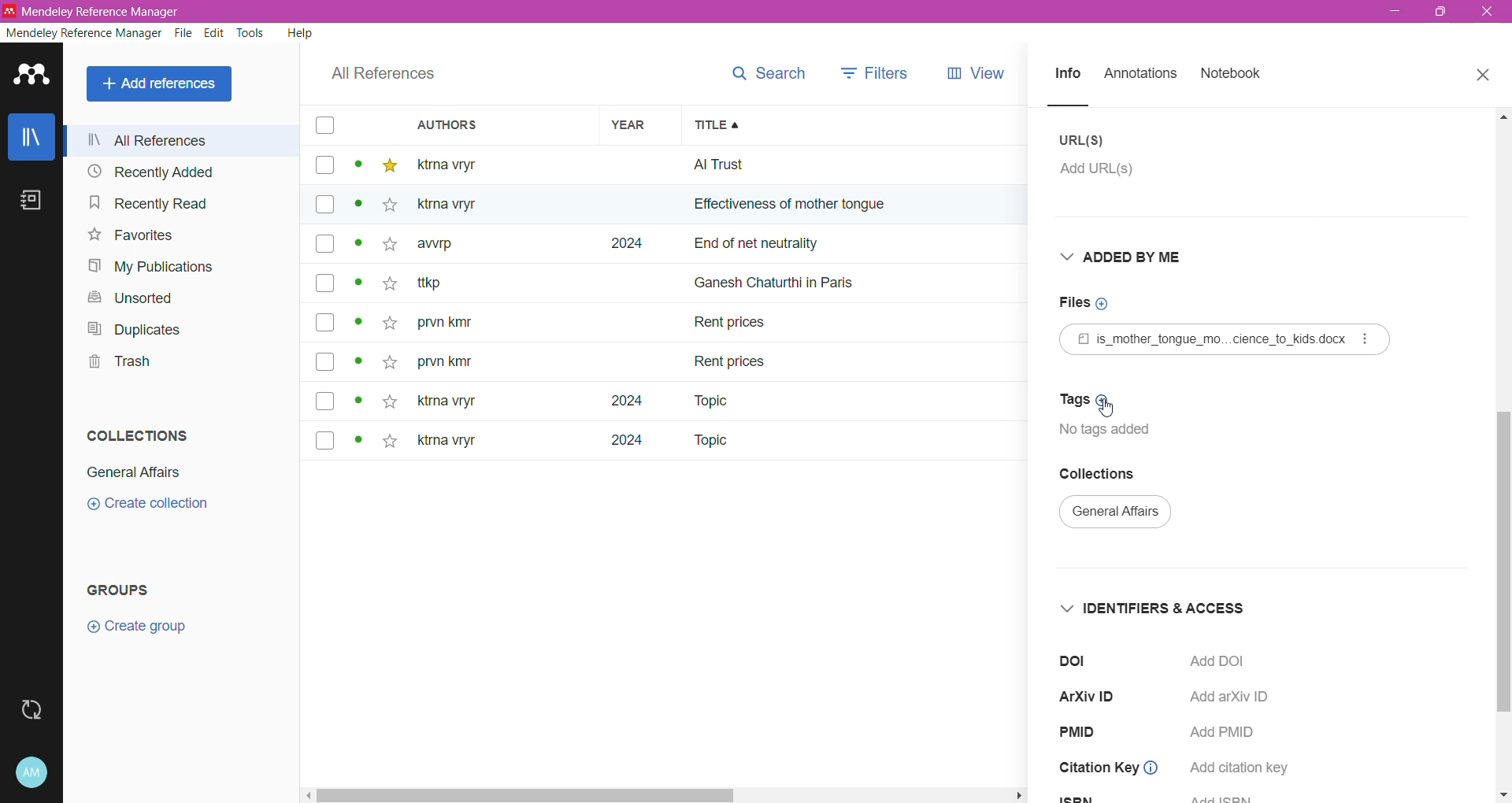  I want to click on Collections, so click(139, 435).